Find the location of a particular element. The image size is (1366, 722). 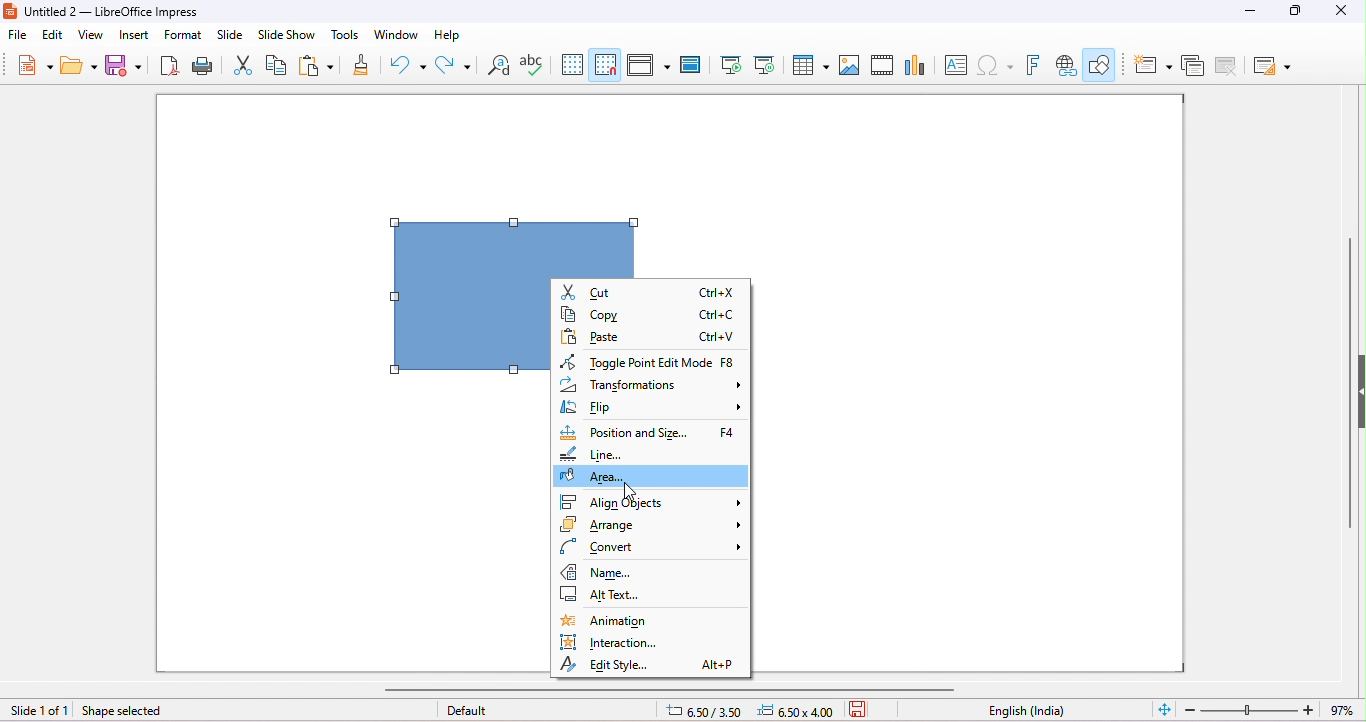

insert image is located at coordinates (849, 64).